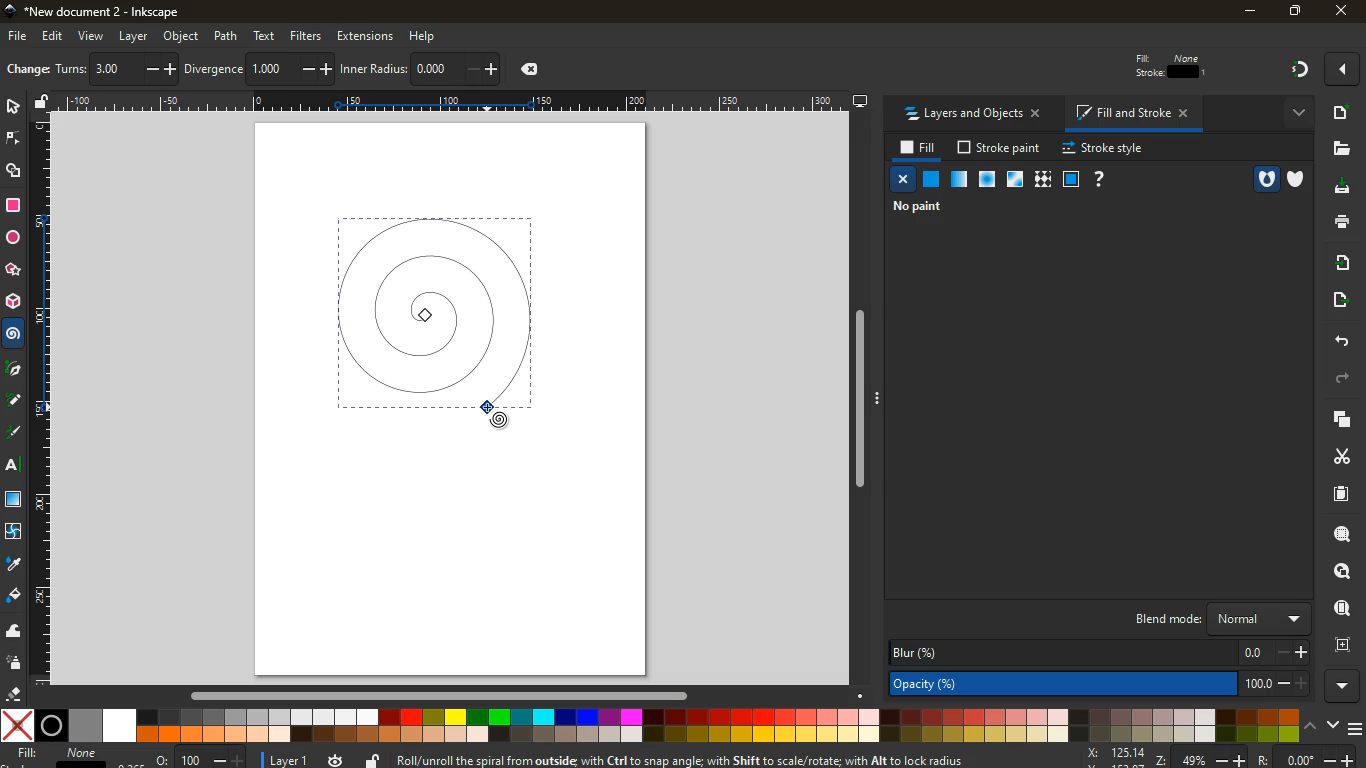  Describe the element at coordinates (14, 532) in the screenshot. I see `twist` at that location.